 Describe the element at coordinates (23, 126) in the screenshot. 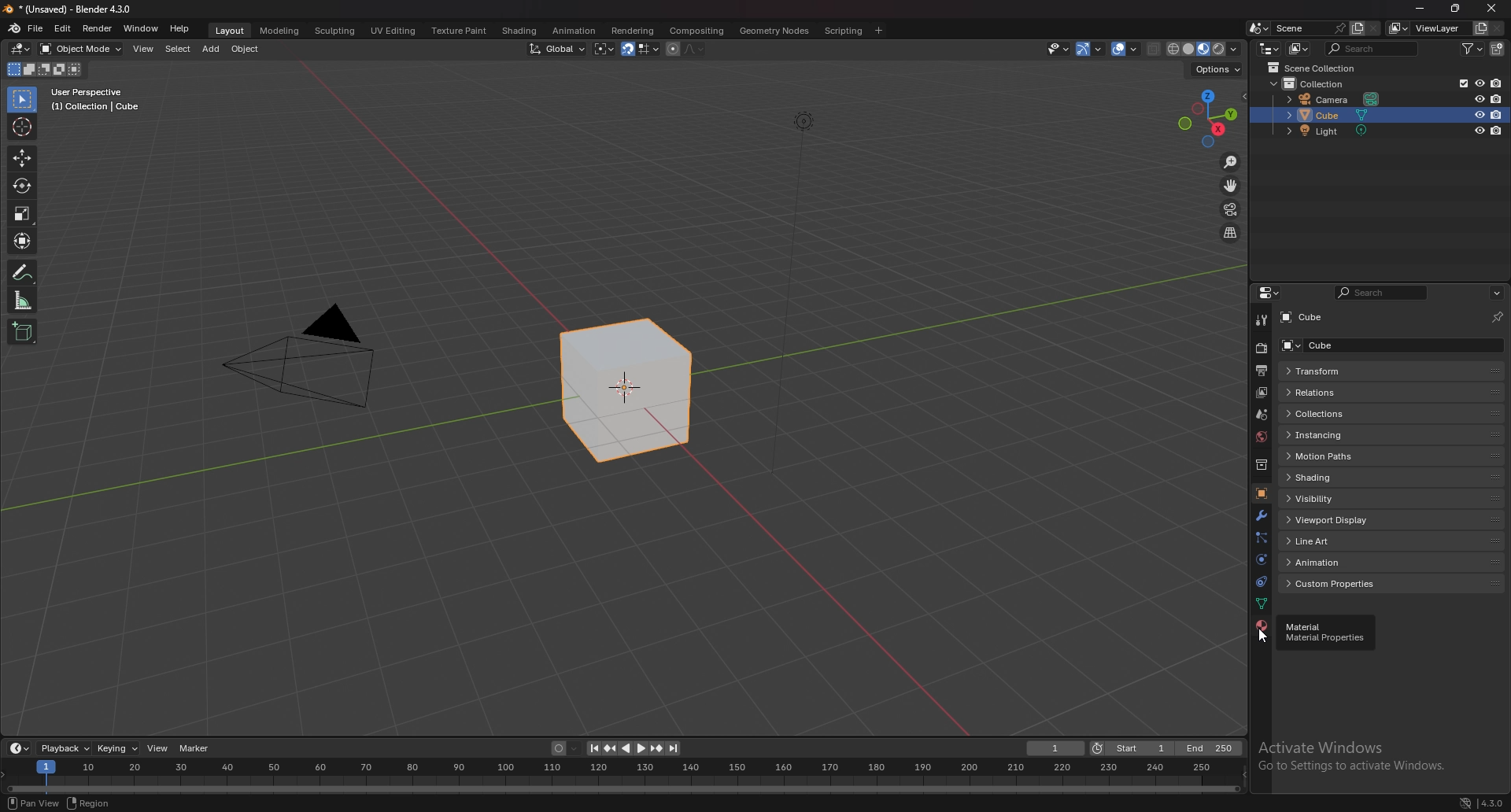

I see `cursor` at that location.